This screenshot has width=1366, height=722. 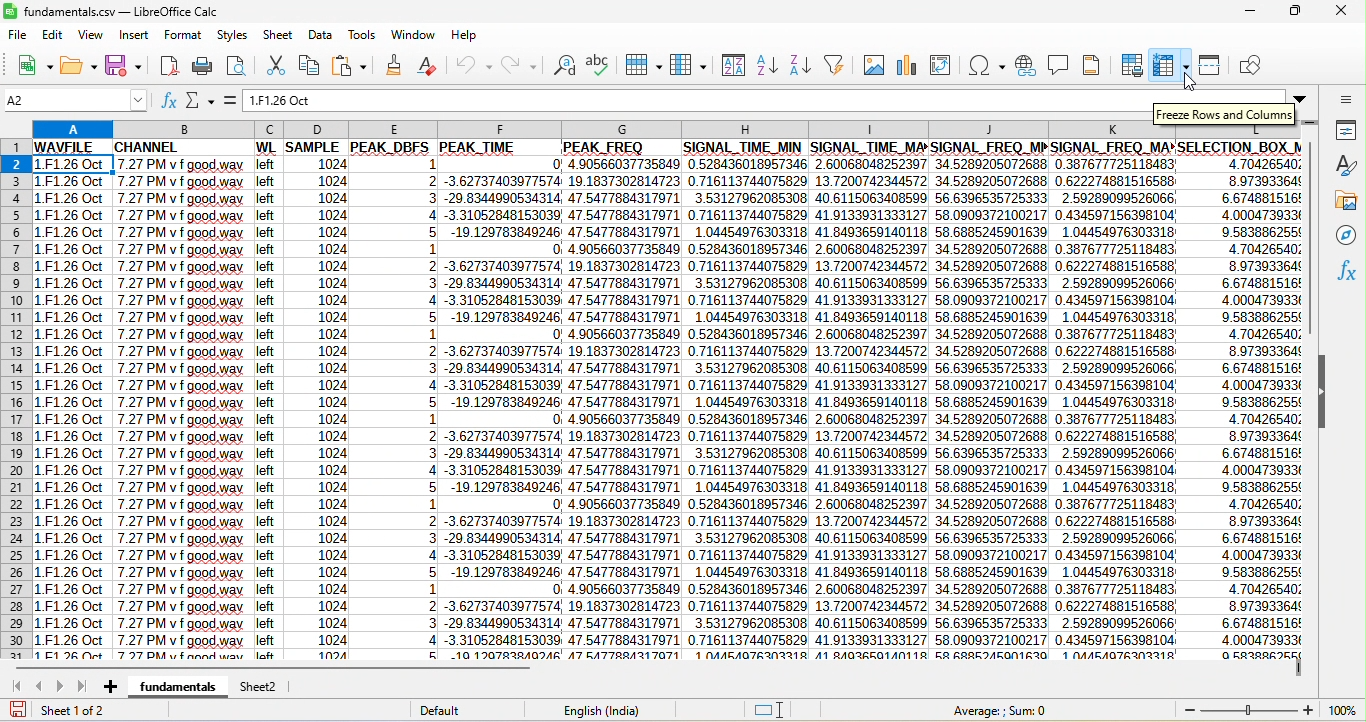 What do you see at coordinates (1322, 394) in the screenshot?
I see `hide` at bounding box center [1322, 394].